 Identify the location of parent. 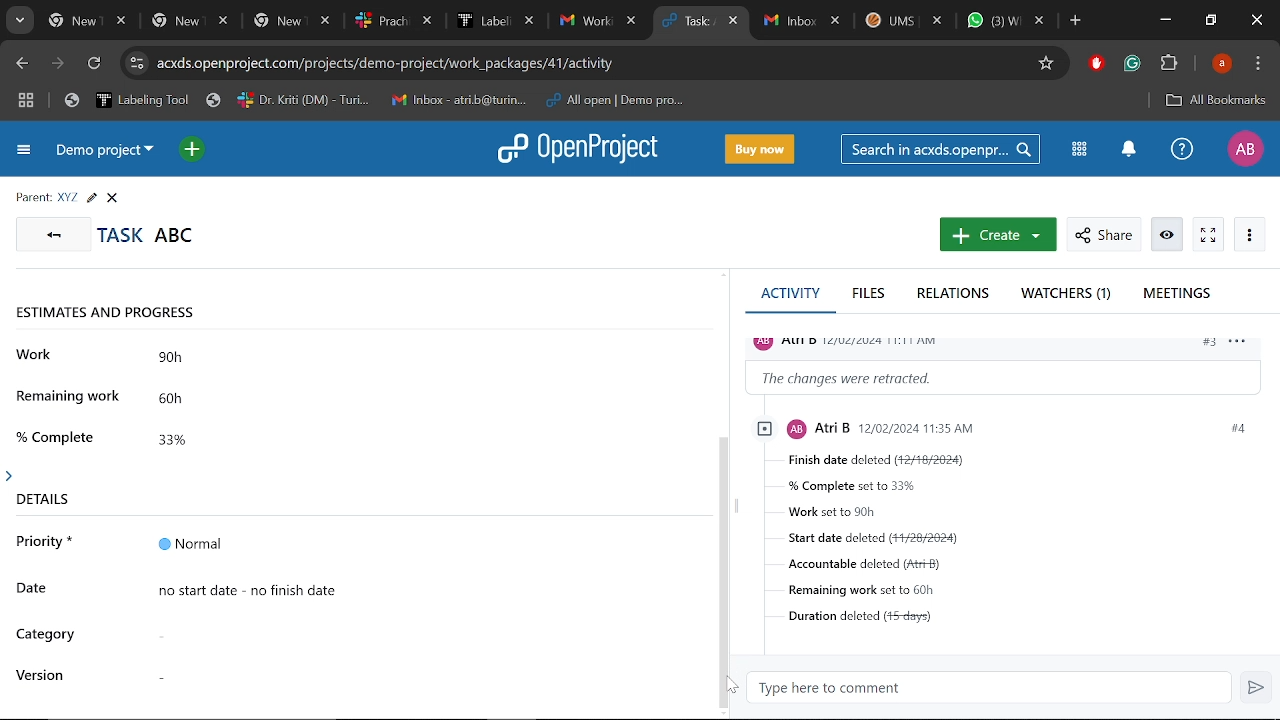
(33, 198).